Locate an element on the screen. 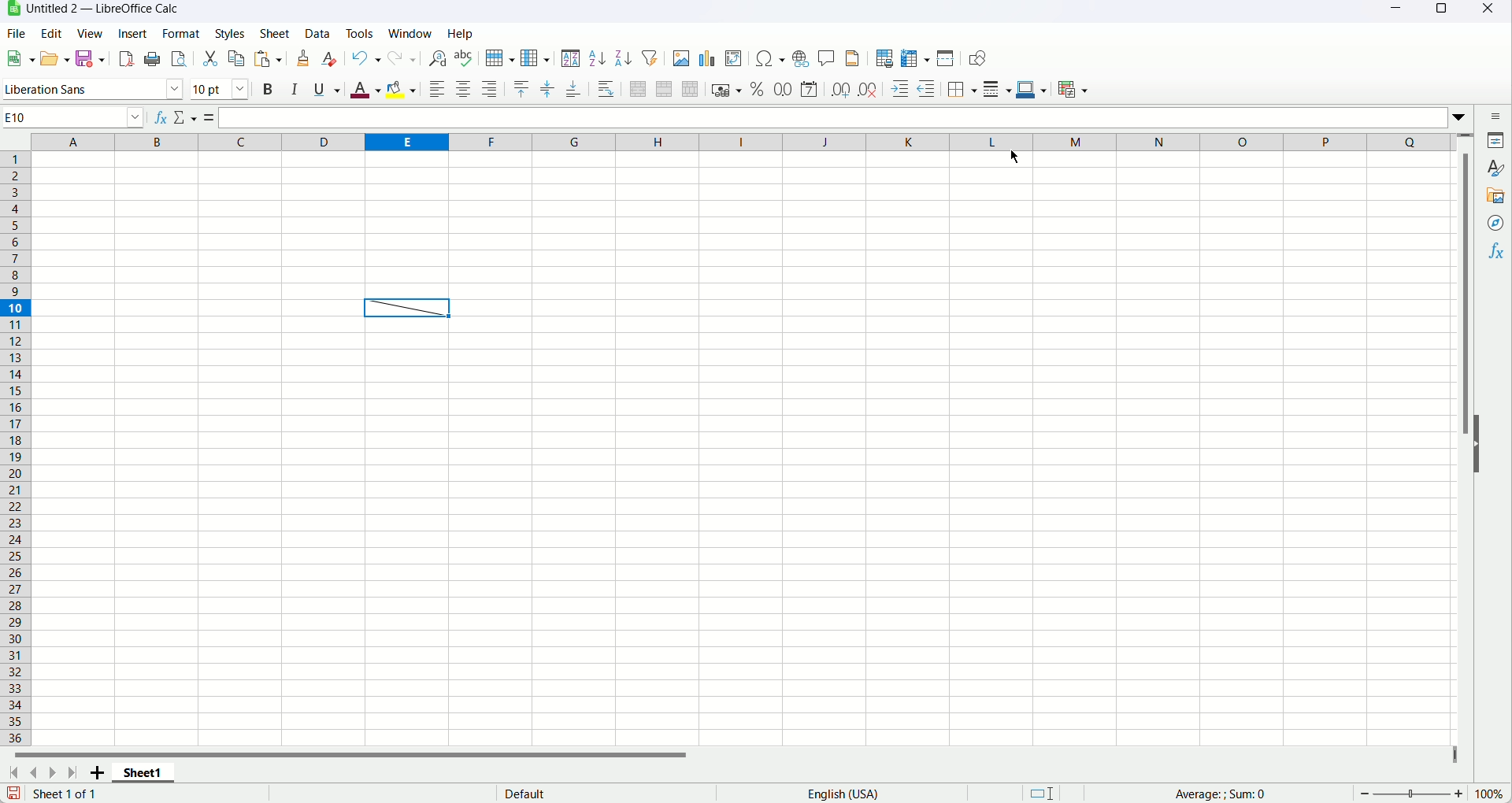 This screenshot has width=1512, height=803. App icon is located at coordinates (11, 9).